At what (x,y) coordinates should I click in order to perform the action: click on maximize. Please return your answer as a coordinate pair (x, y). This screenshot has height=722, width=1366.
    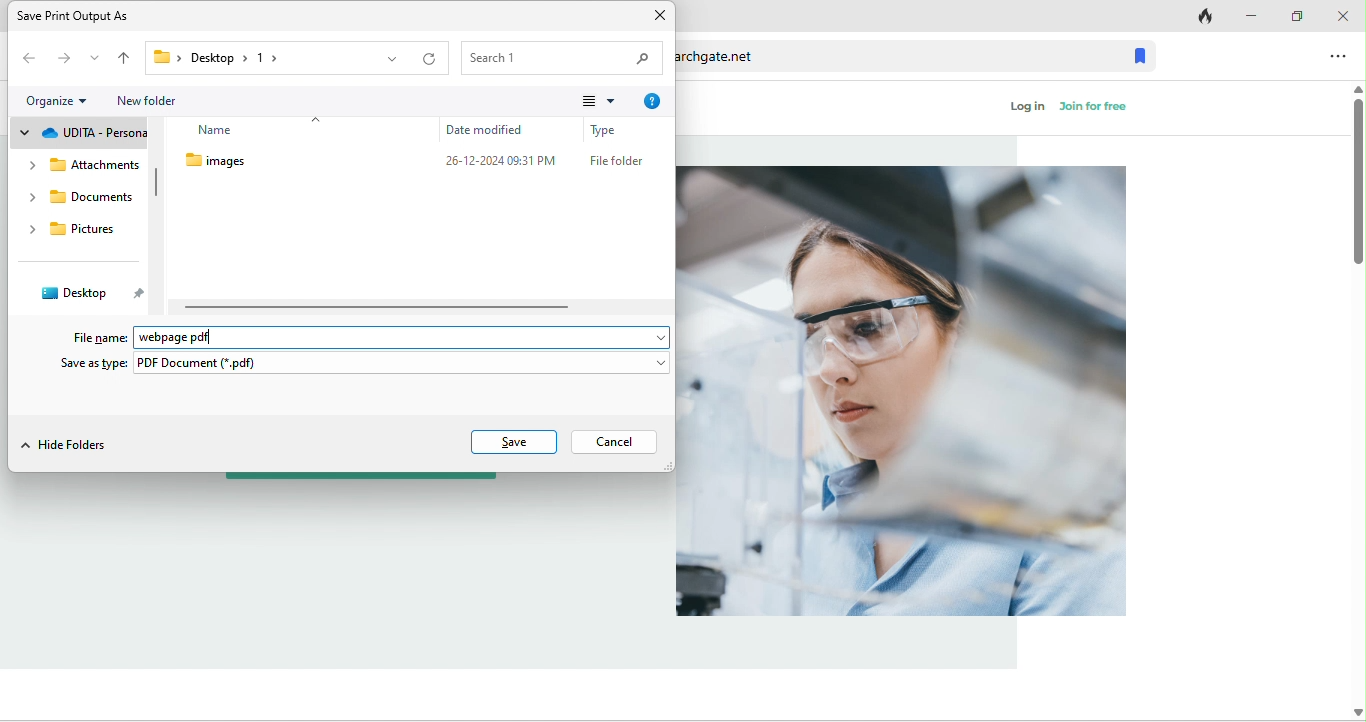
    Looking at the image, I should click on (1293, 13).